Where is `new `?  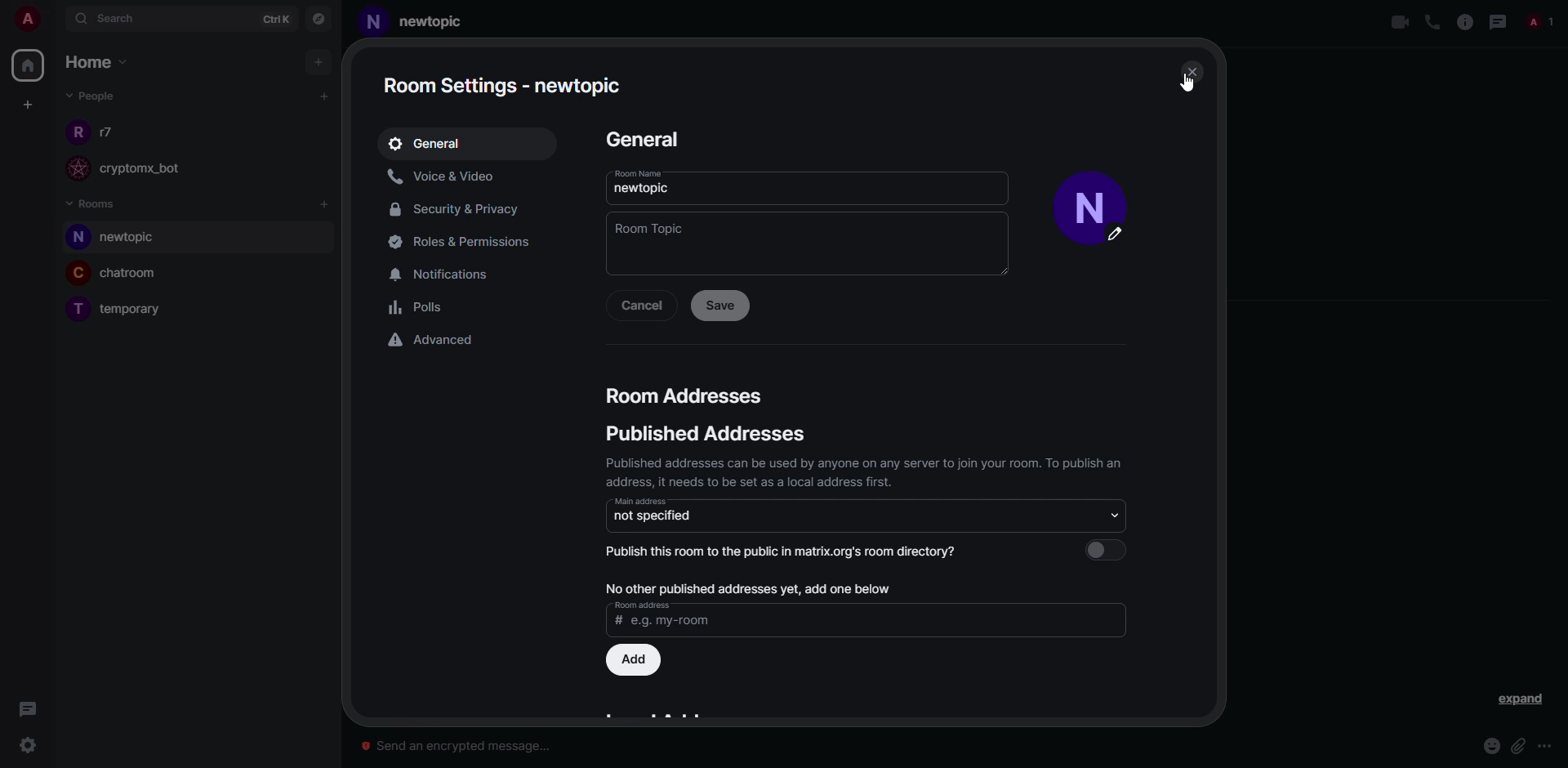 new  is located at coordinates (430, 20).